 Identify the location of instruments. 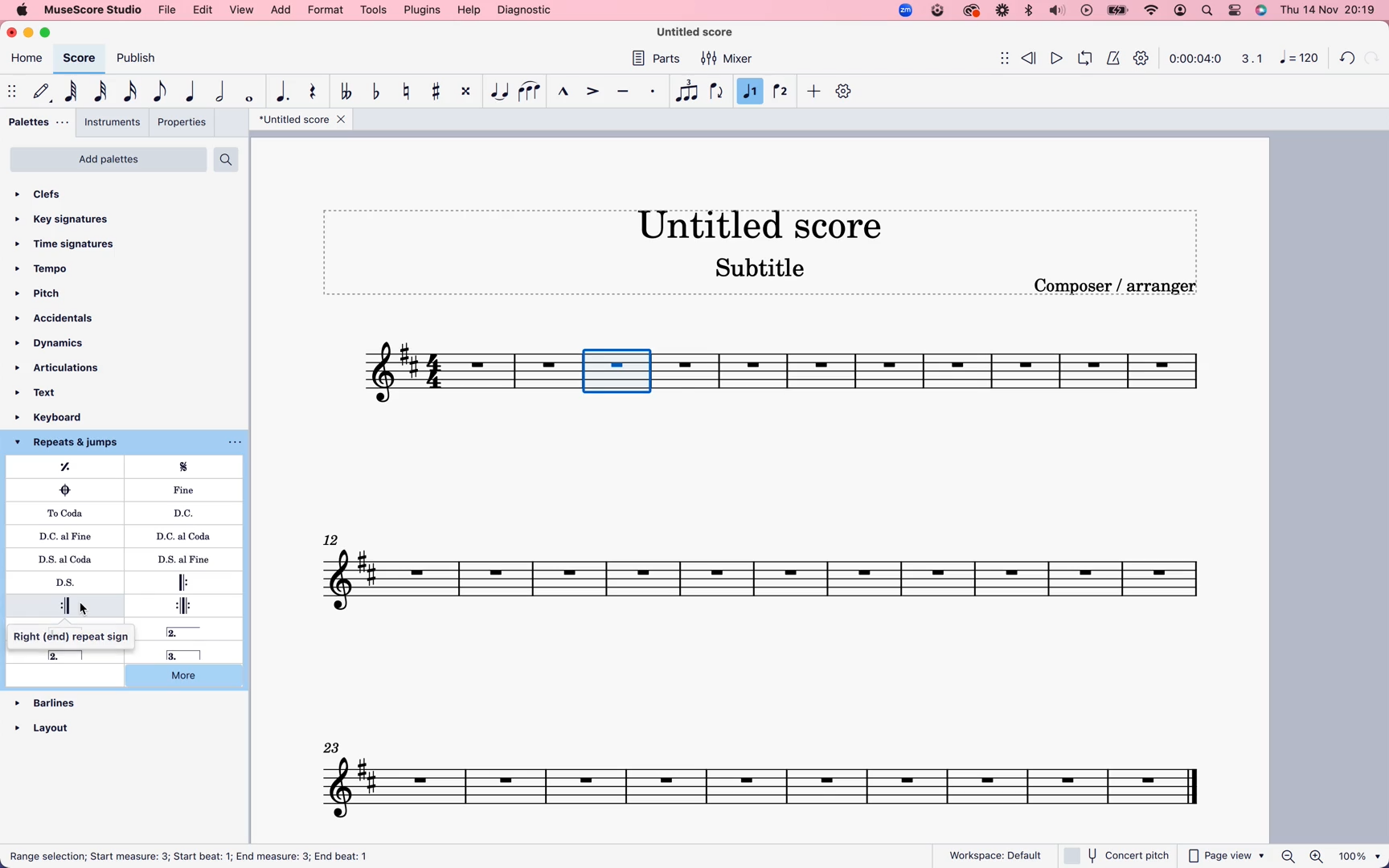
(113, 122).